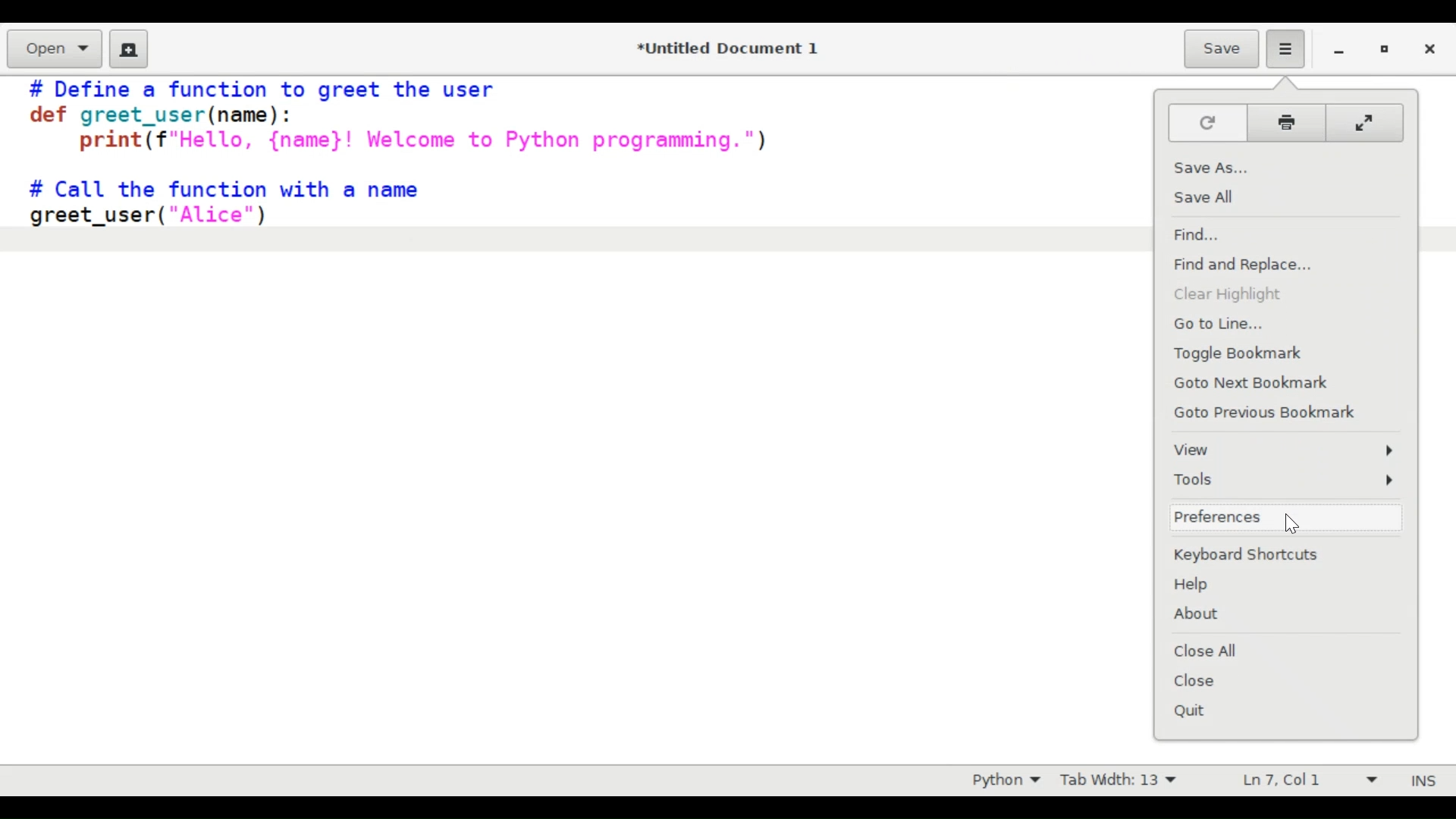 Image resolution: width=1456 pixels, height=819 pixels. I want to click on Find and Replace, so click(1268, 265).